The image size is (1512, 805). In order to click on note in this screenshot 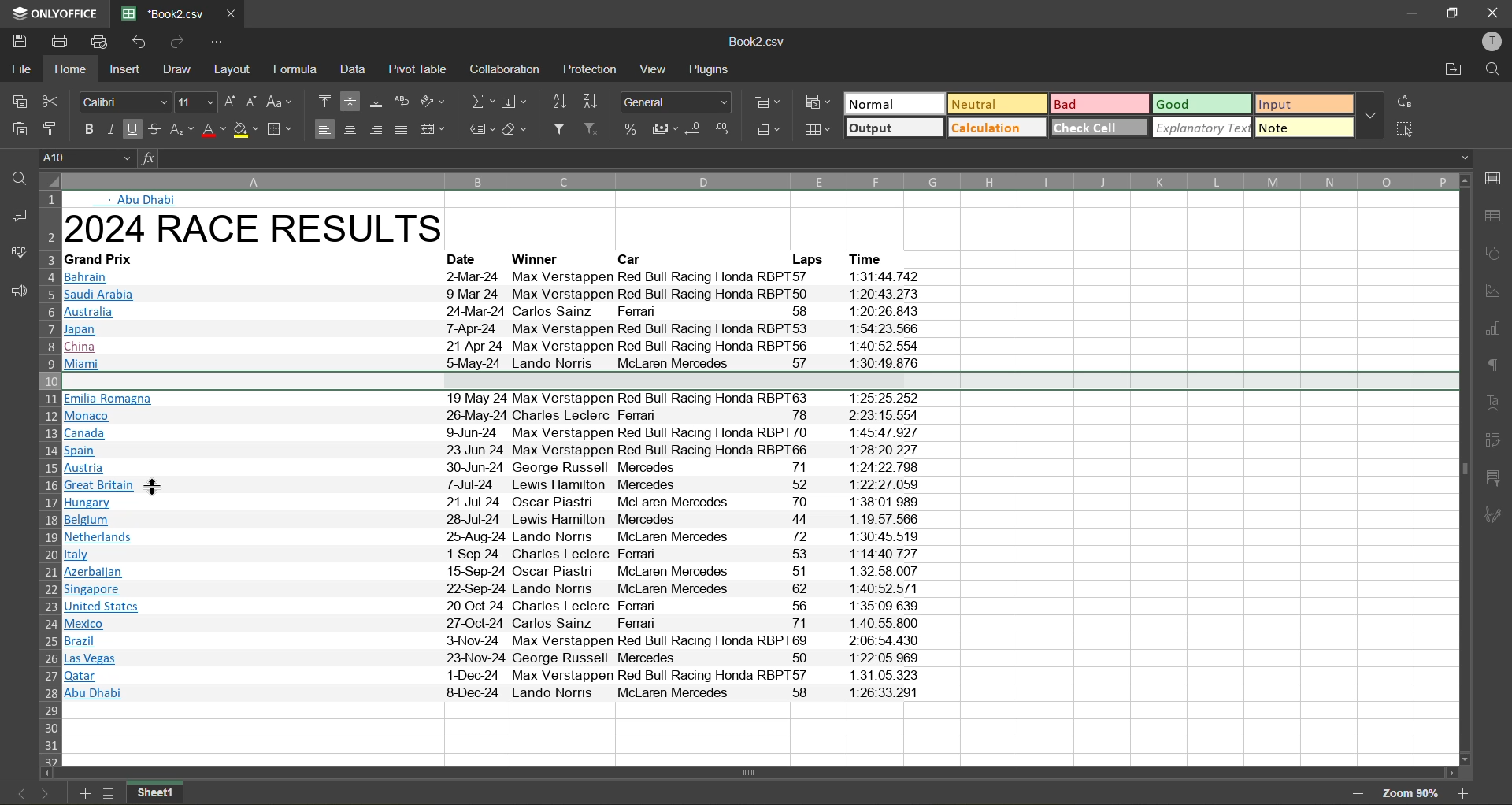, I will do `click(1303, 127)`.